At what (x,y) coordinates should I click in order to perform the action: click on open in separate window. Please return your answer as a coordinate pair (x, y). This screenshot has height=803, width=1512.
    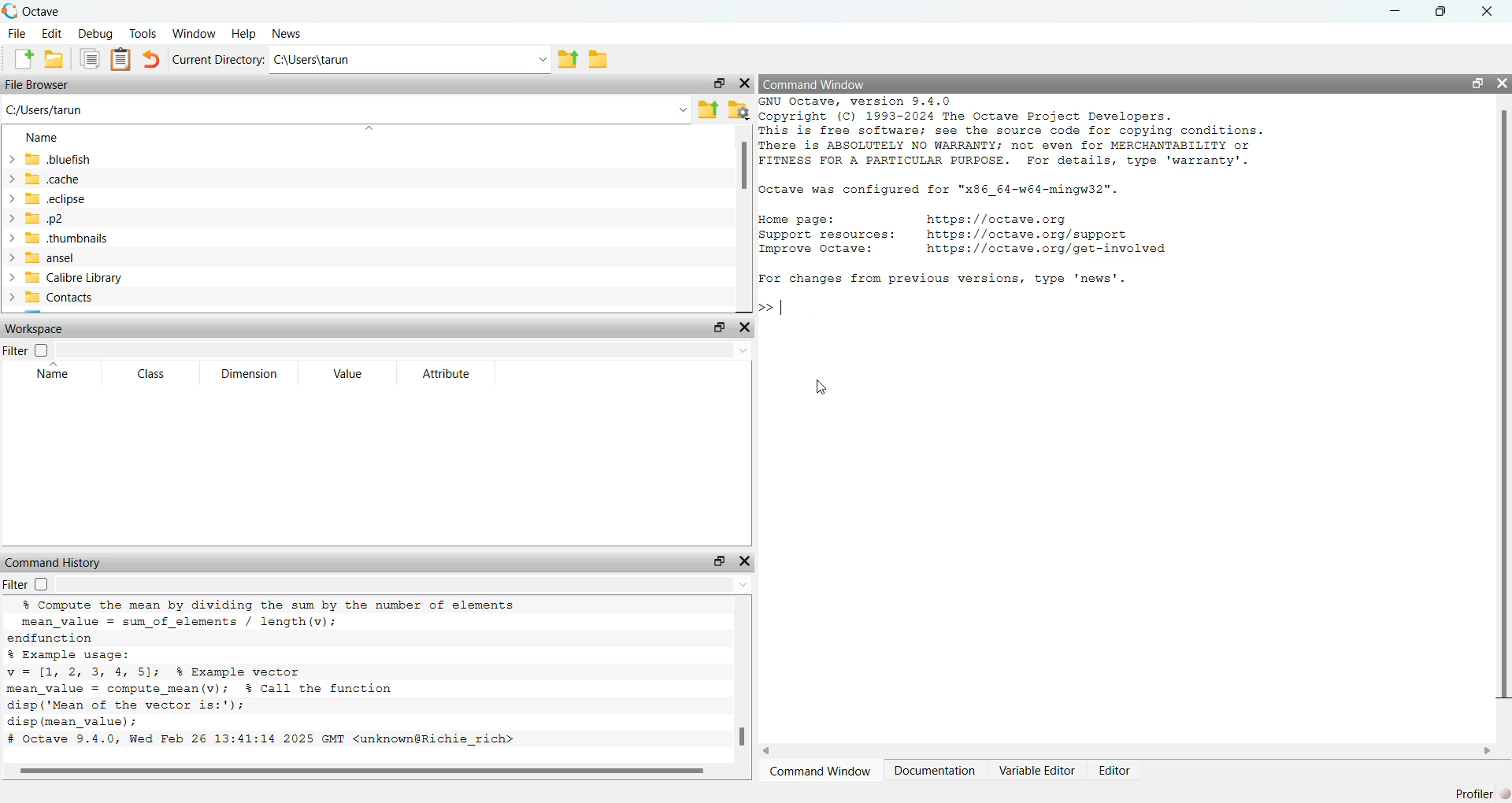
    Looking at the image, I should click on (721, 327).